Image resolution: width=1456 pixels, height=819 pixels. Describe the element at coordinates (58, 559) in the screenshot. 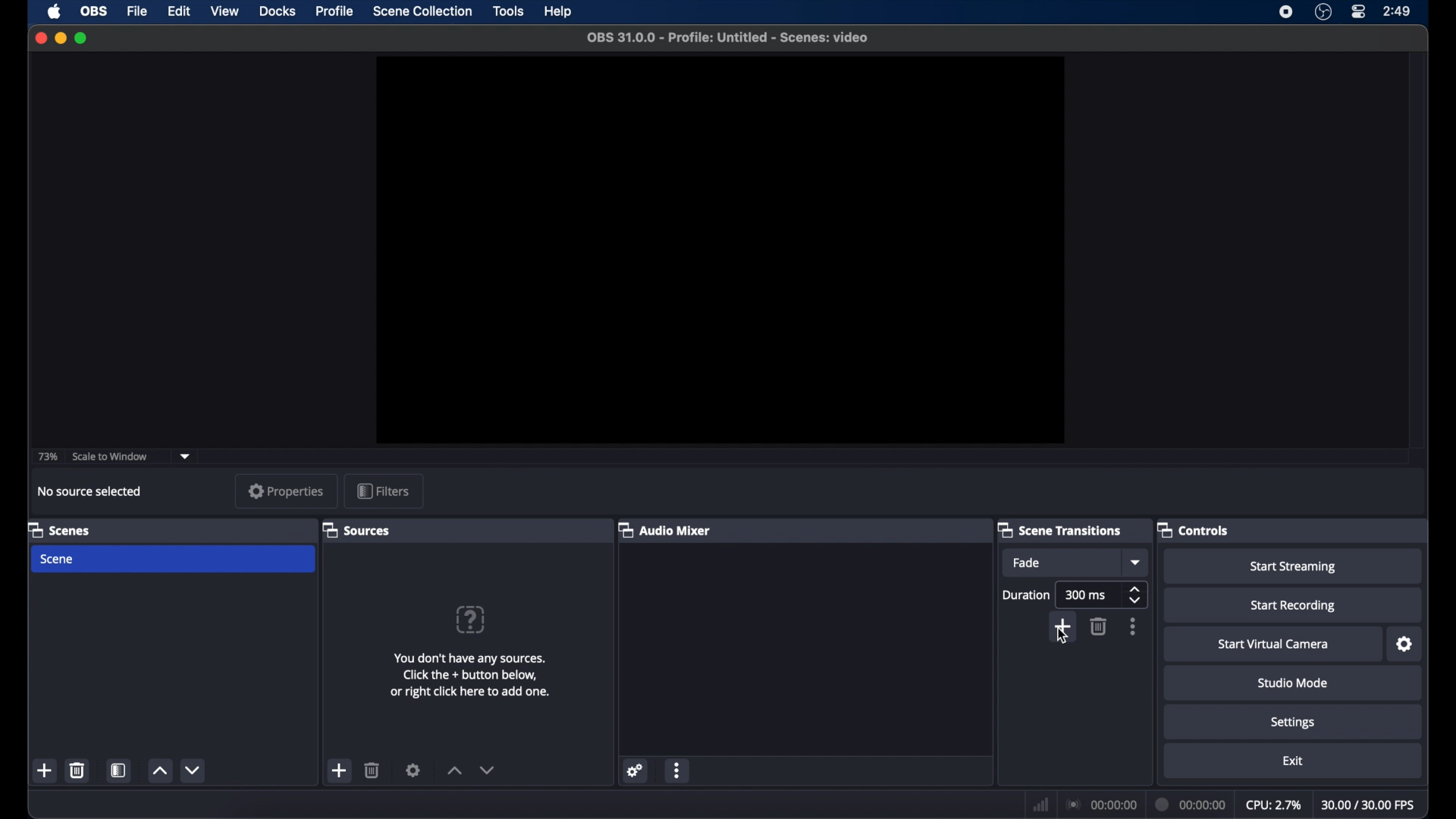

I see `scene` at that location.